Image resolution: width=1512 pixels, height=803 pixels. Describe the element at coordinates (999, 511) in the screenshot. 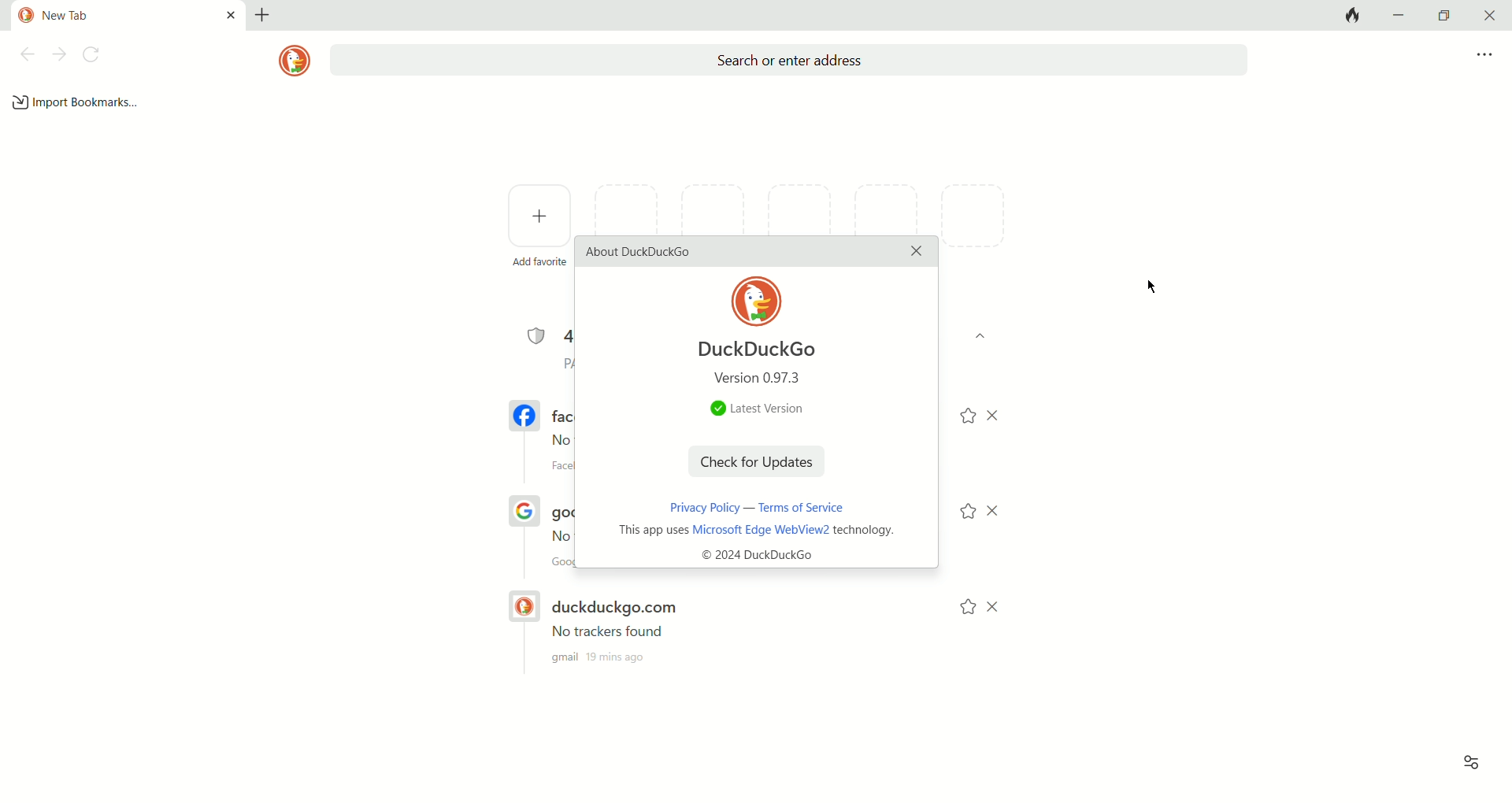

I see `close` at that location.